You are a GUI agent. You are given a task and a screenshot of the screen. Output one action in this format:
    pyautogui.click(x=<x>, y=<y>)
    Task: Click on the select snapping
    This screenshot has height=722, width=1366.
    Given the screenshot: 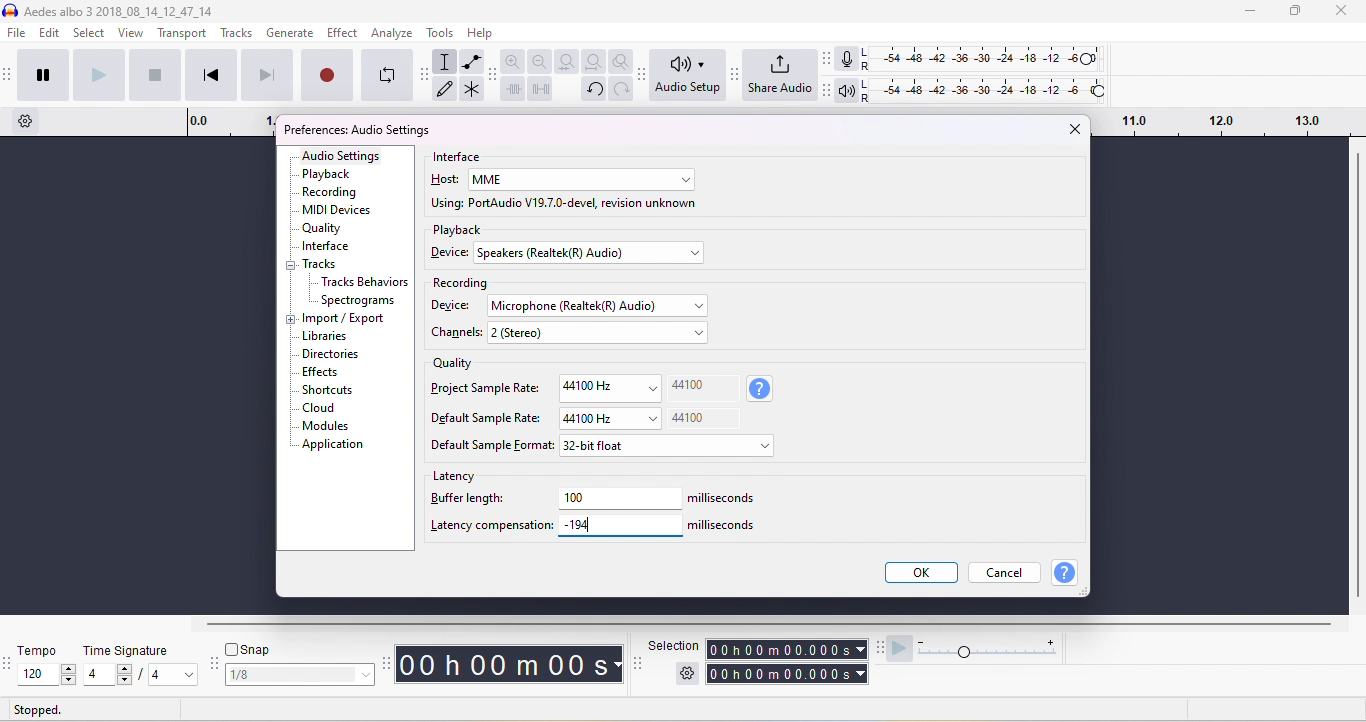 What is the action you would take?
    pyautogui.click(x=301, y=674)
    